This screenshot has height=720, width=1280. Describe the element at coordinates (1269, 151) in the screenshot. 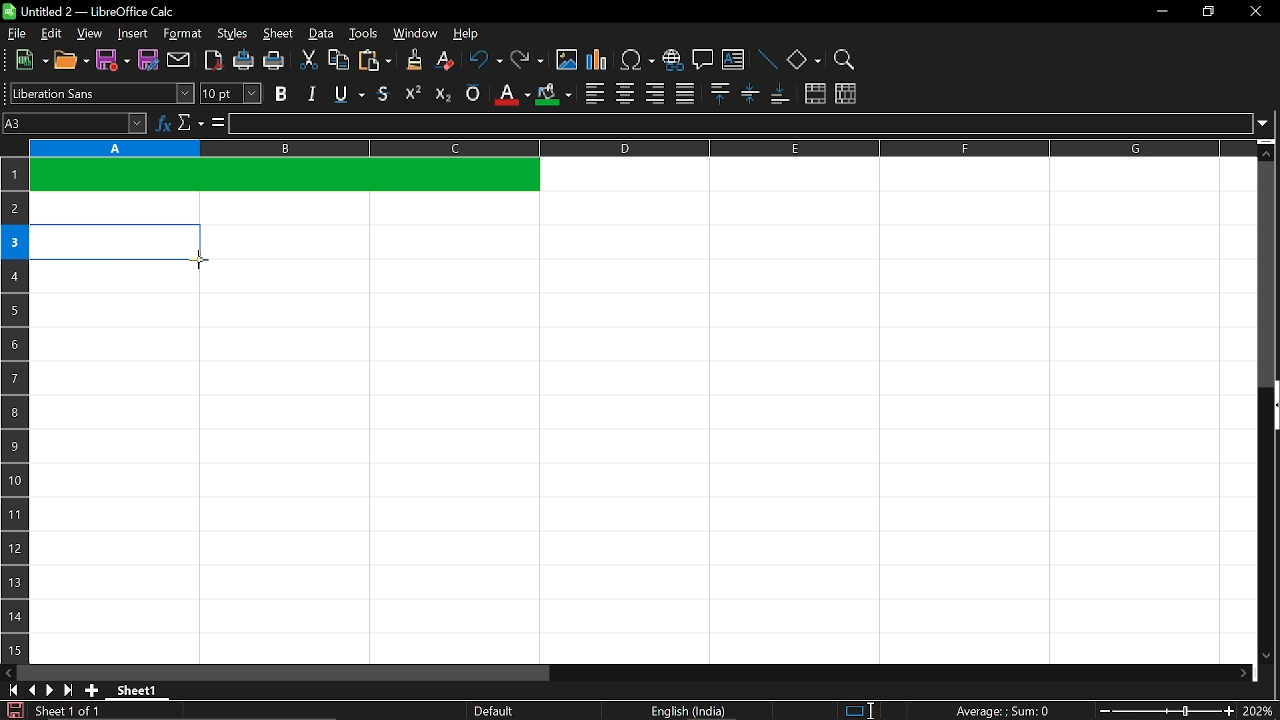

I see `move up` at that location.